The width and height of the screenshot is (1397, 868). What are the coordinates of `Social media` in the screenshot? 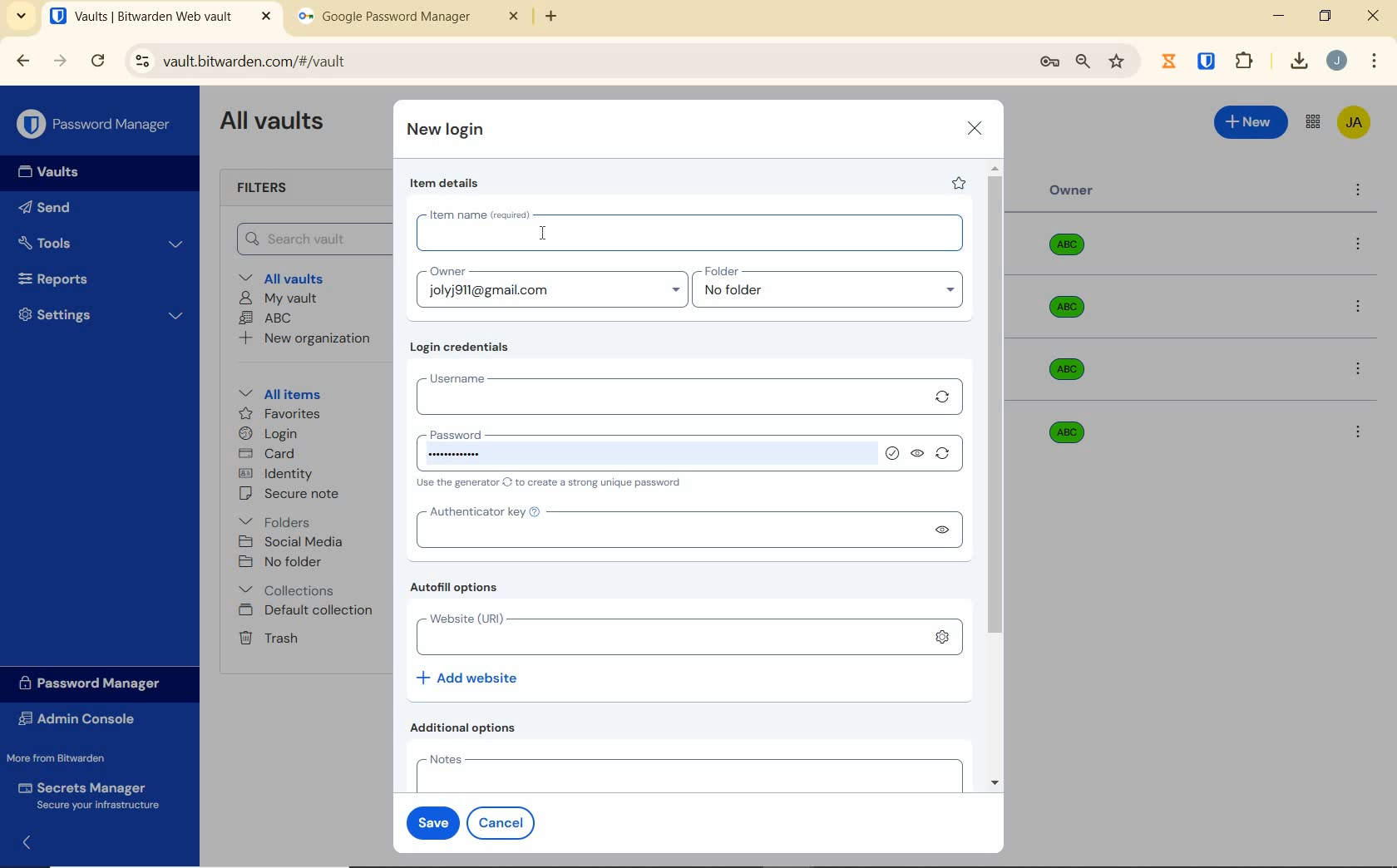 It's located at (289, 541).